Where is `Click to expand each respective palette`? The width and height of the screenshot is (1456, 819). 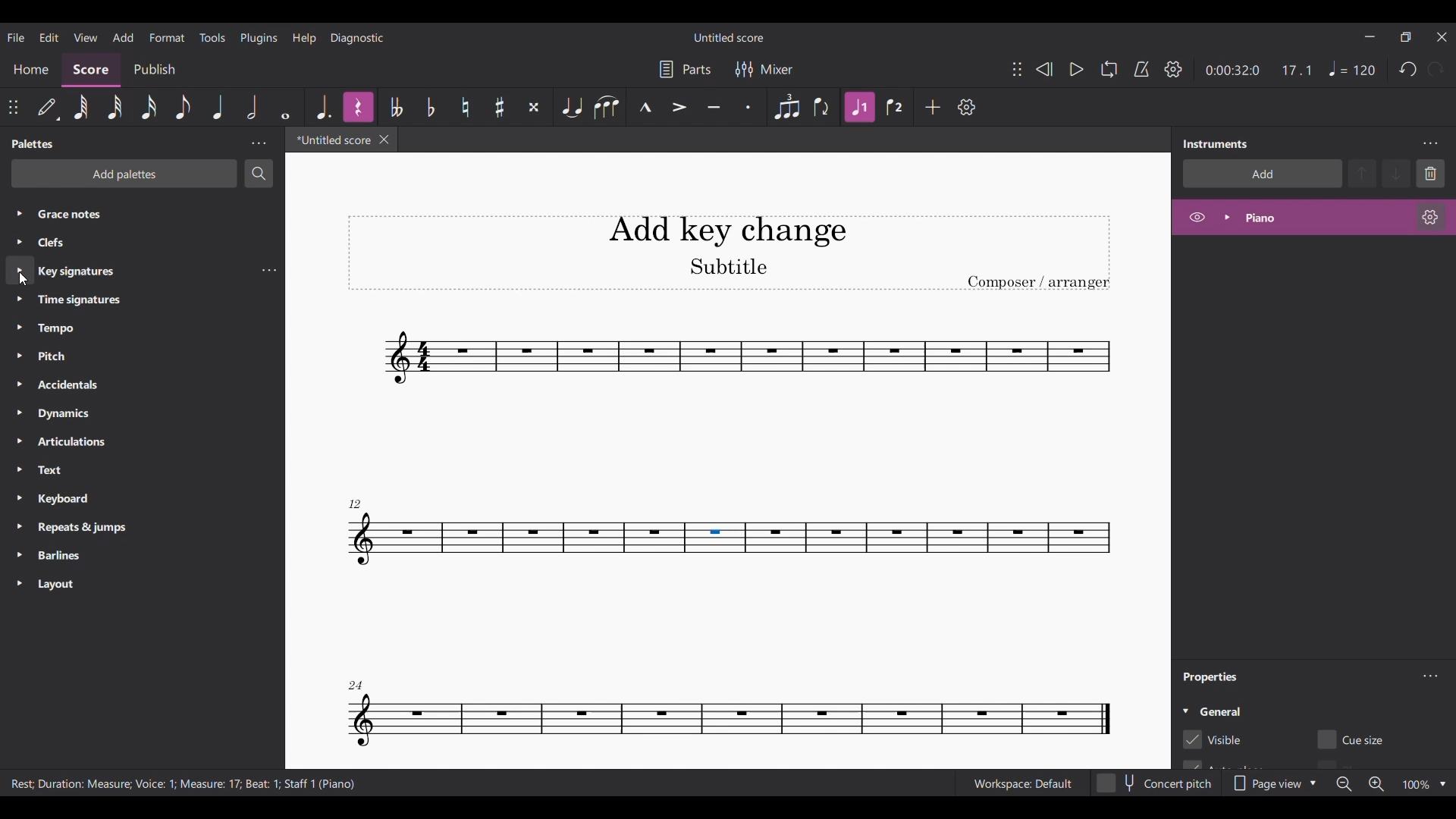 Click to expand each respective palette is located at coordinates (18, 397).